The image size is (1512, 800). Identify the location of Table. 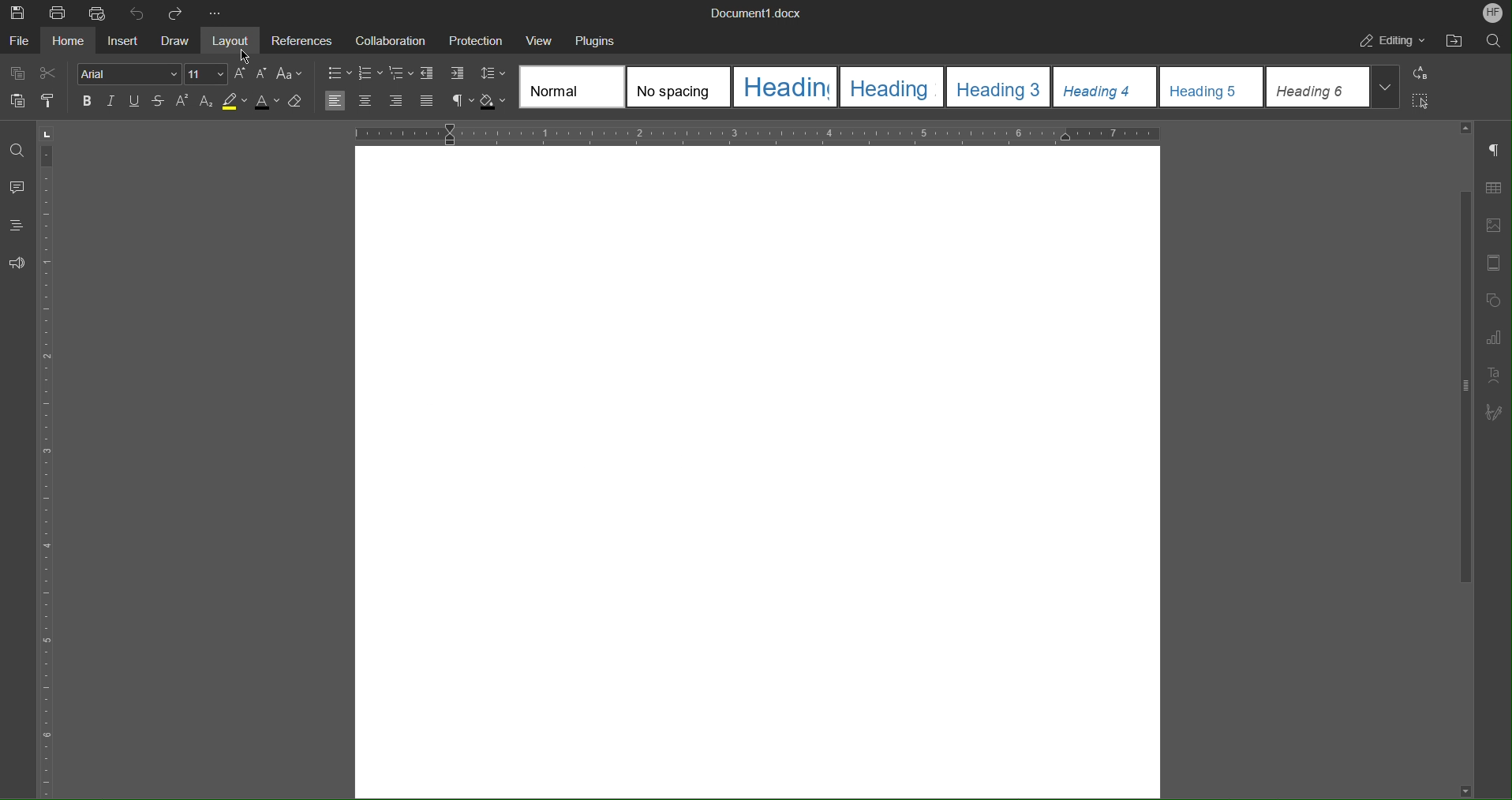
(1493, 191).